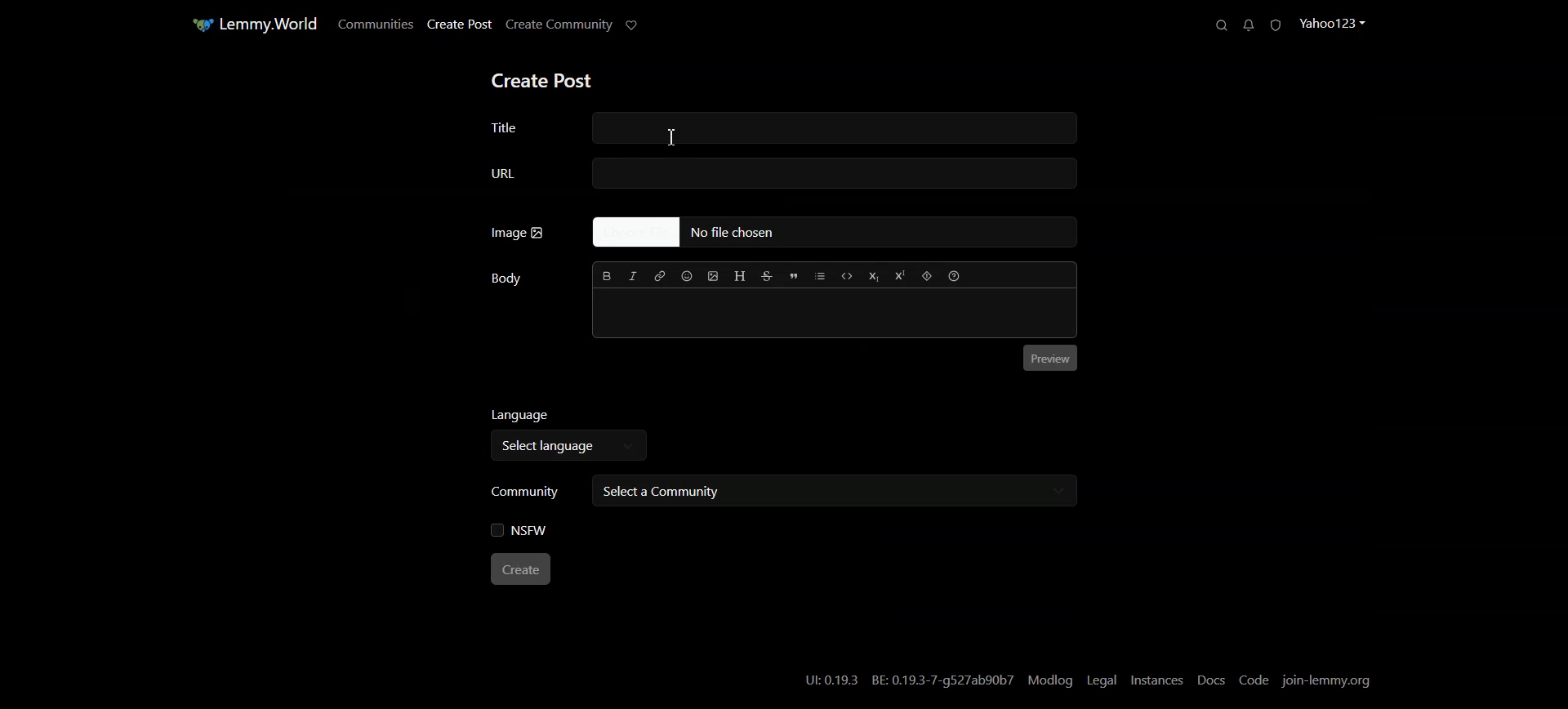 This screenshot has height=709, width=1568. Describe the element at coordinates (373, 24) in the screenshot. I see `Communities` at that location.